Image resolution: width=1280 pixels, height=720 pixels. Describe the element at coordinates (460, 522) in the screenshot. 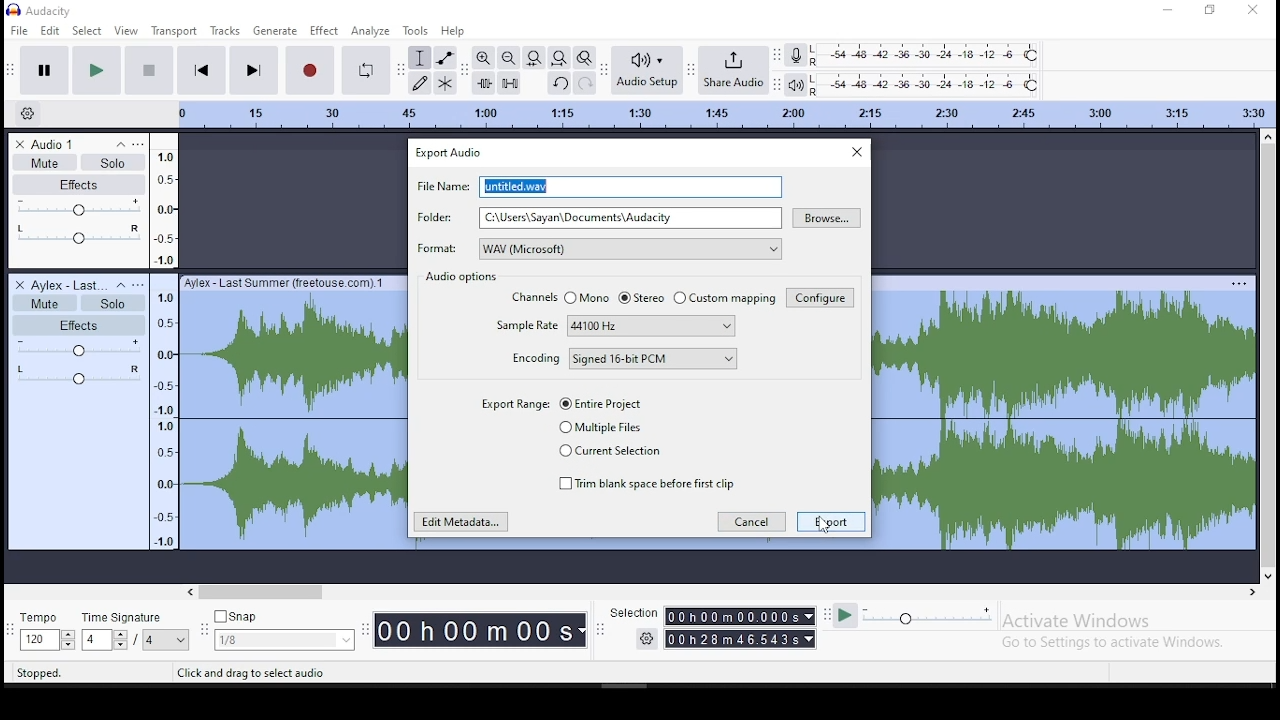

I see `edit meta data` at that location.